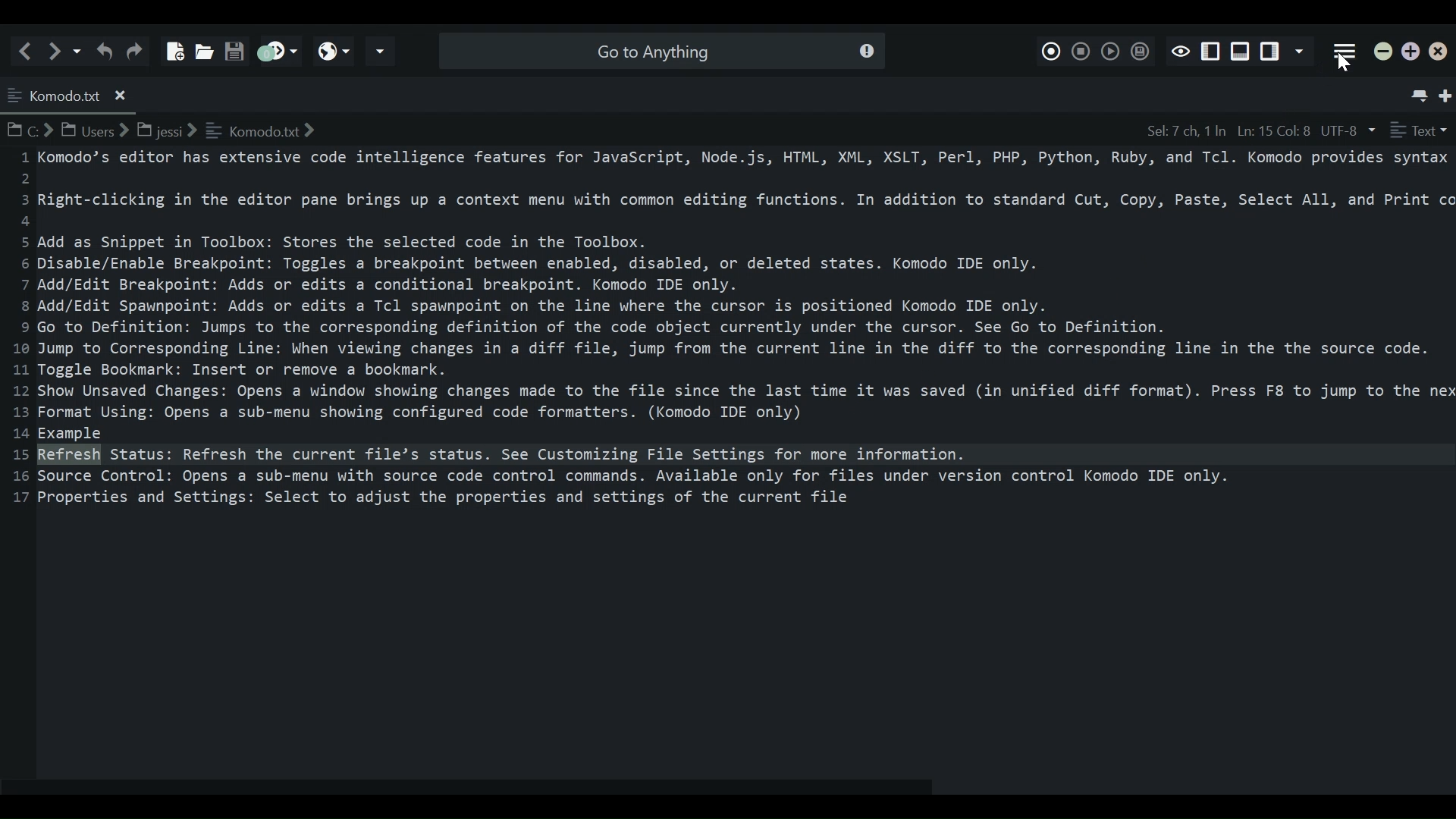  I want to click on File Encoding, so click(1349, 130).